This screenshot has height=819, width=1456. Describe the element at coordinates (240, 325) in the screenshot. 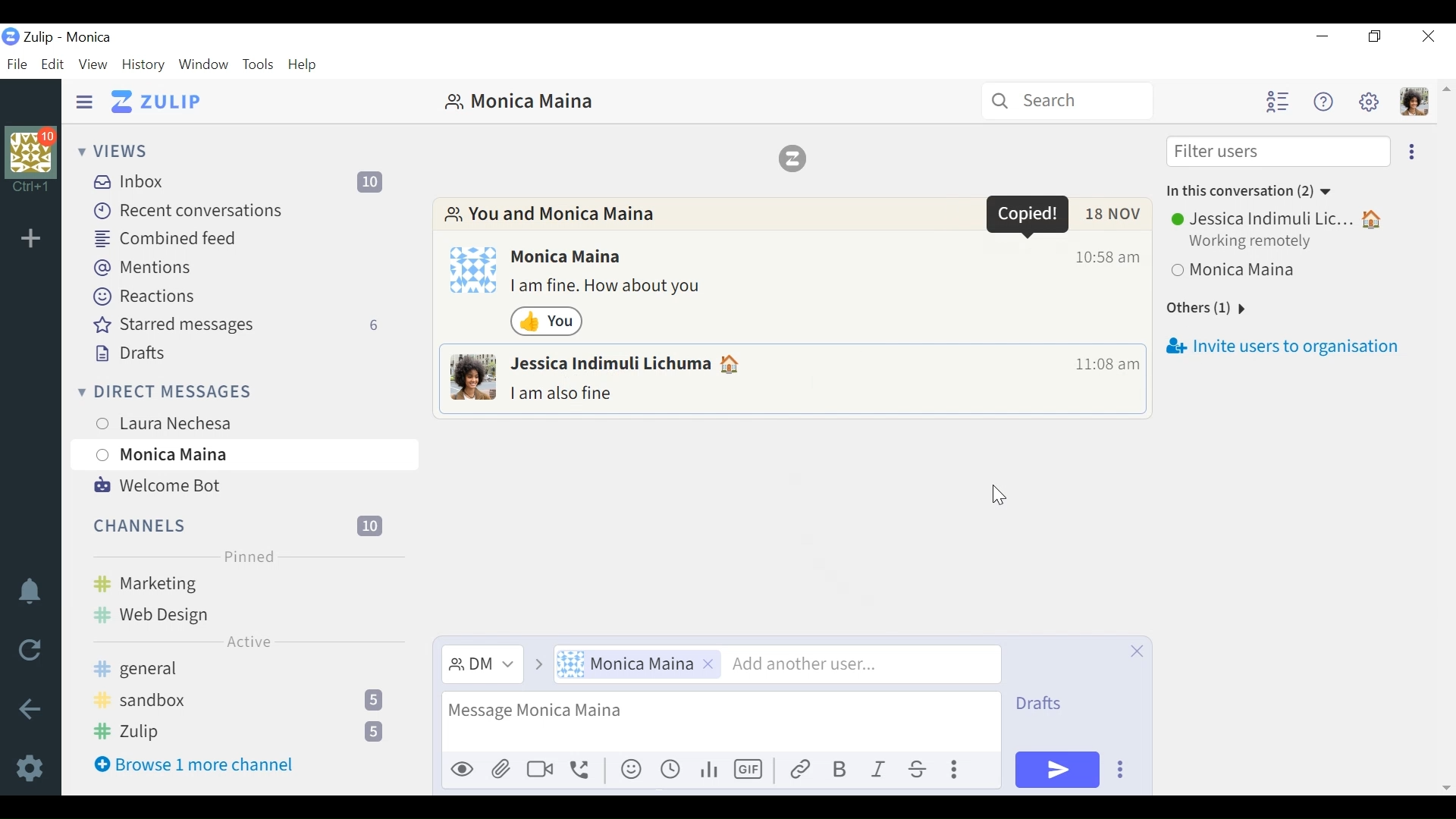

I see `Starred messages` at that location.